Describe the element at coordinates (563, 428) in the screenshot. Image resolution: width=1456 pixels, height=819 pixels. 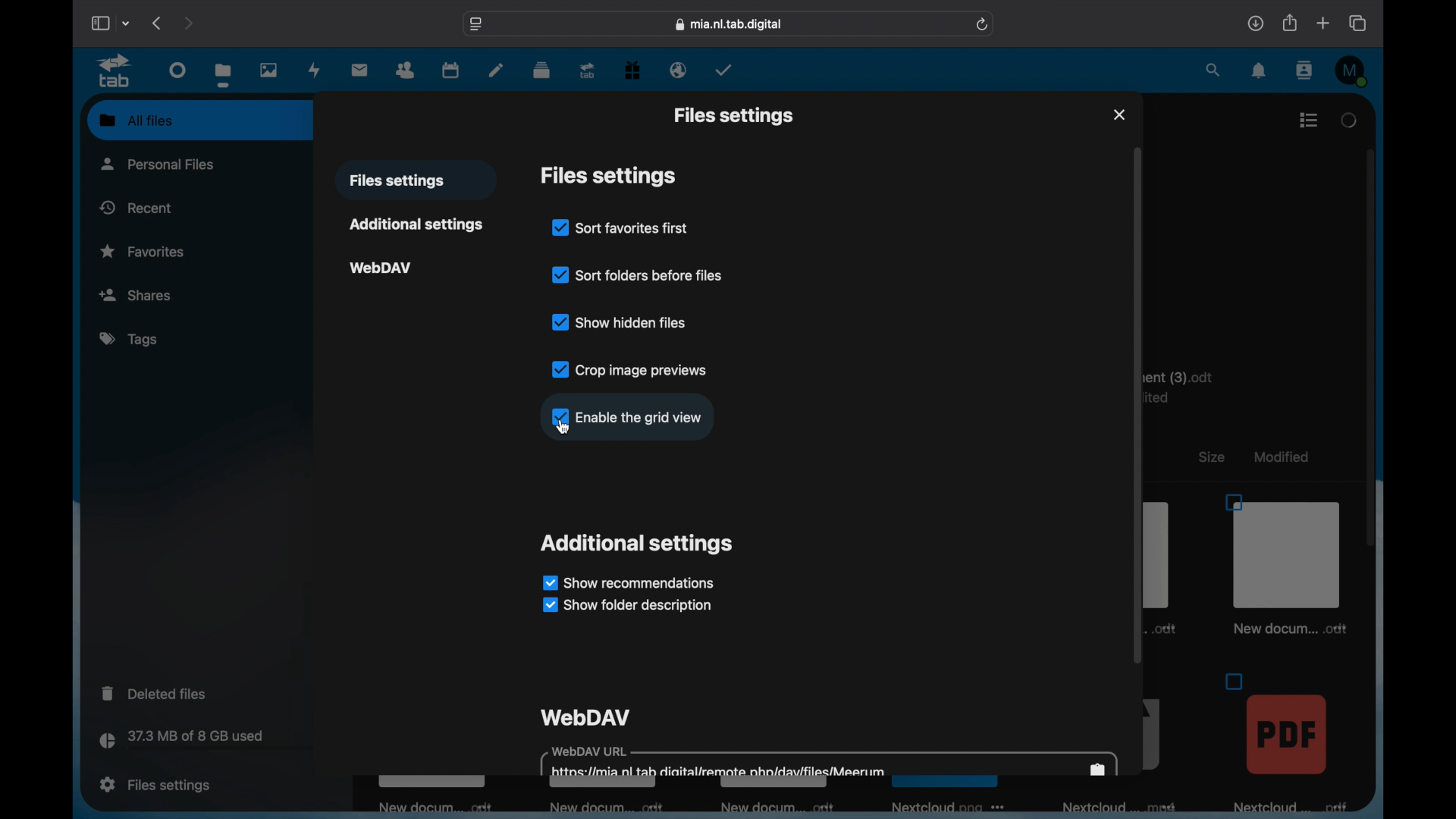
I see `cursor` at that location.